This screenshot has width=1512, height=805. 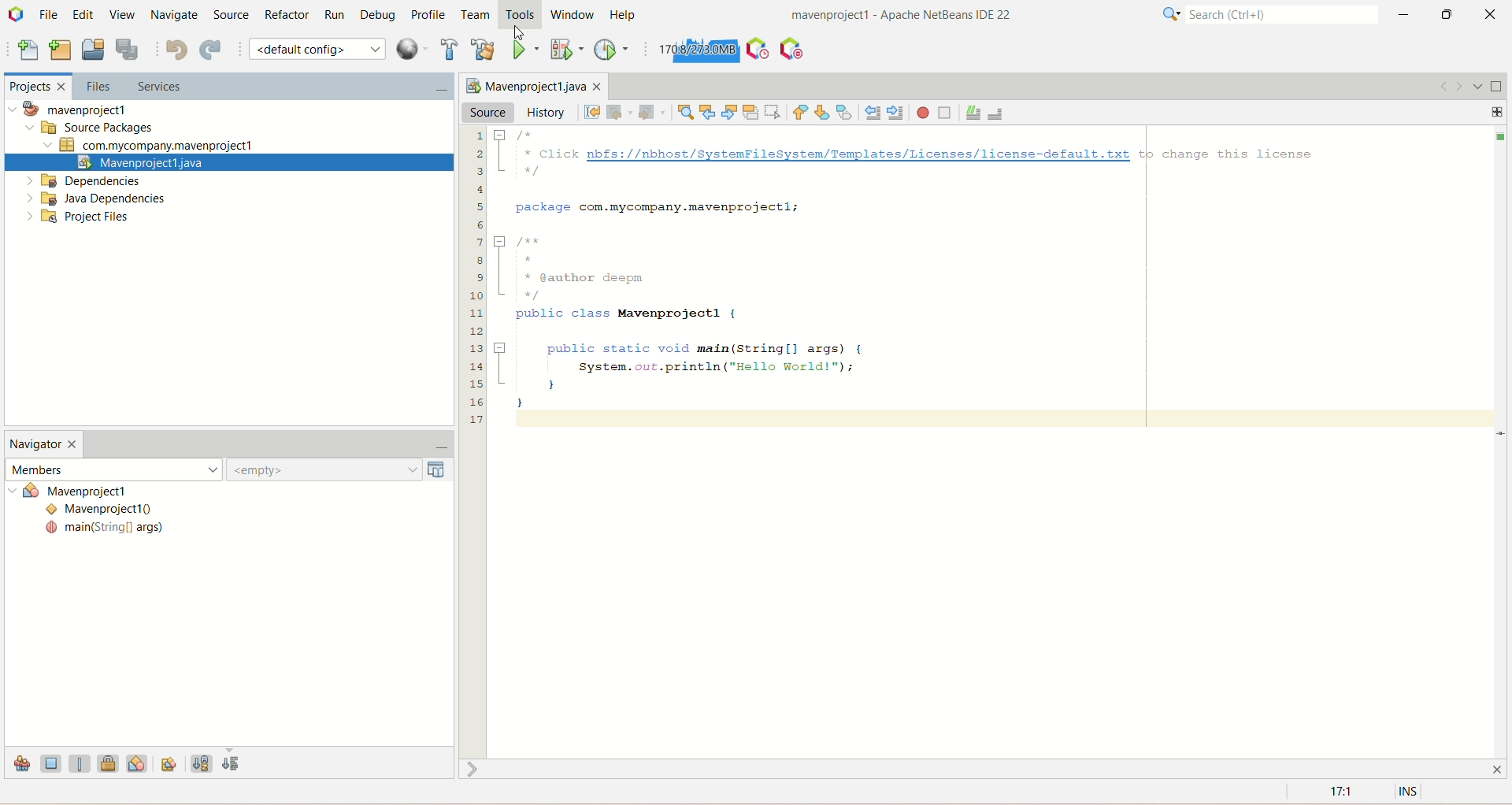 I want to click on edit, so click(x=82, y=14).